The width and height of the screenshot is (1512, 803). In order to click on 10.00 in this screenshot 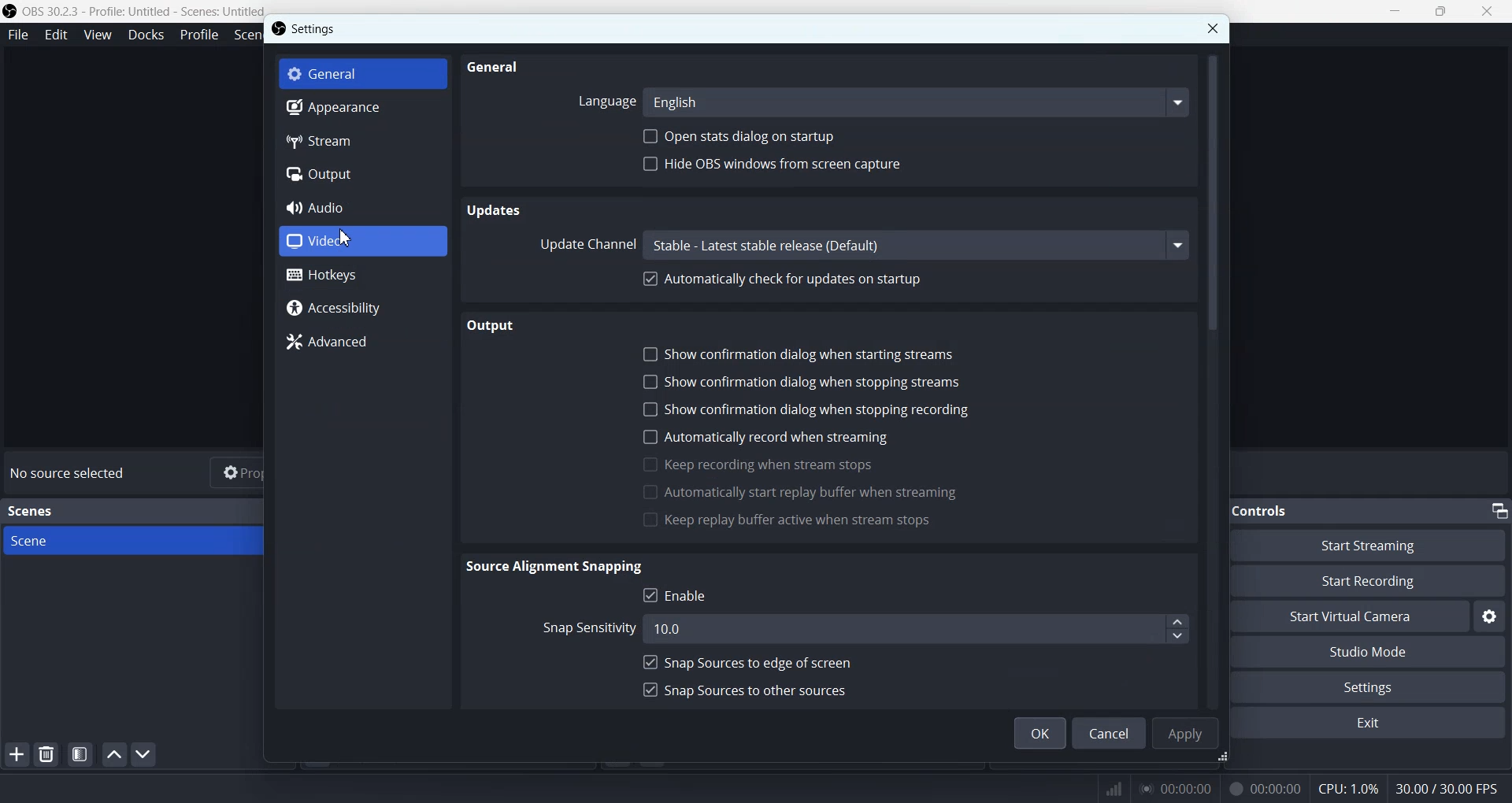, I will do `click(899, 628)`.